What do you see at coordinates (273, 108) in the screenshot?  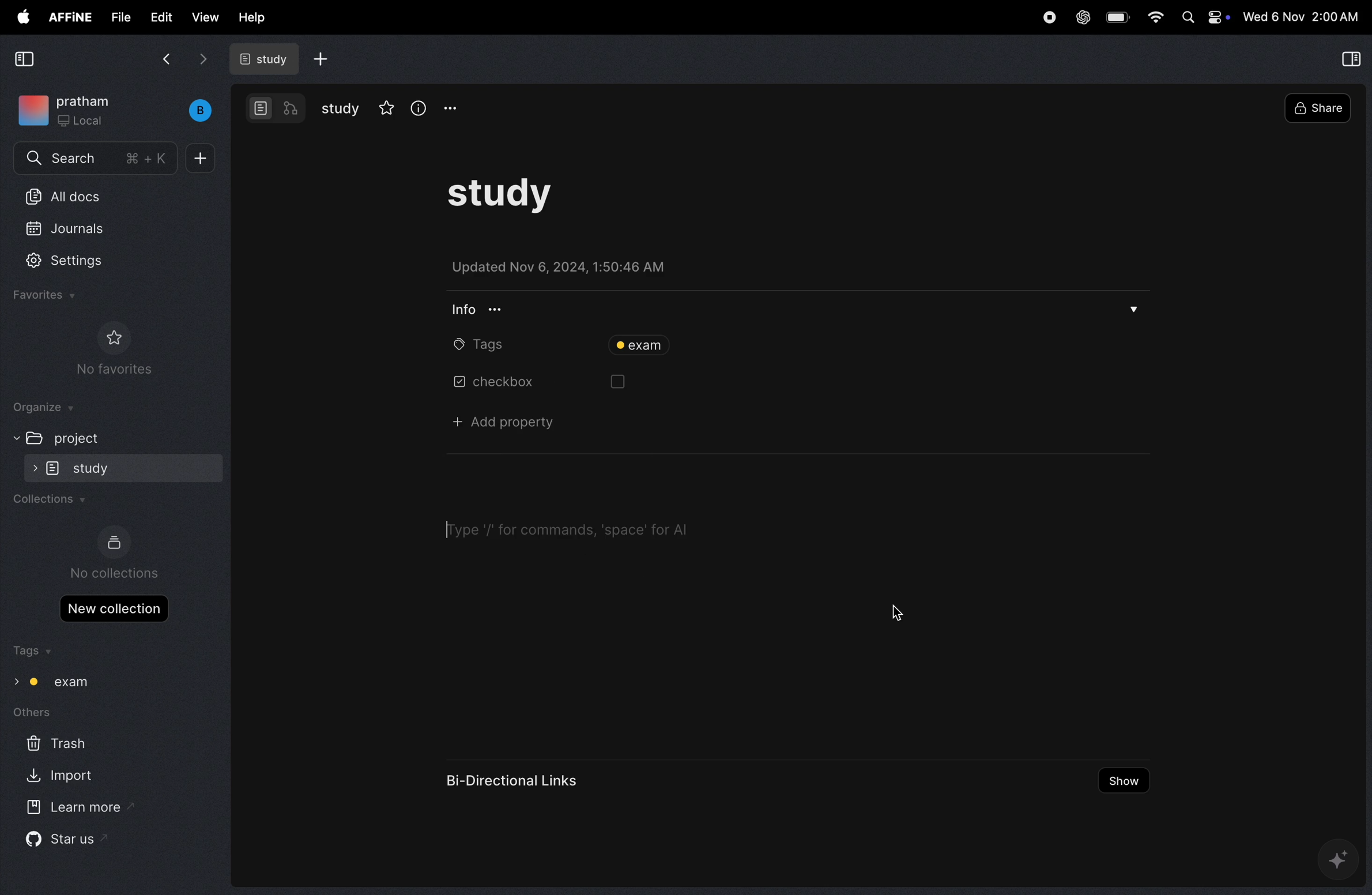 I see `modes` at bounding box center [273, 108].